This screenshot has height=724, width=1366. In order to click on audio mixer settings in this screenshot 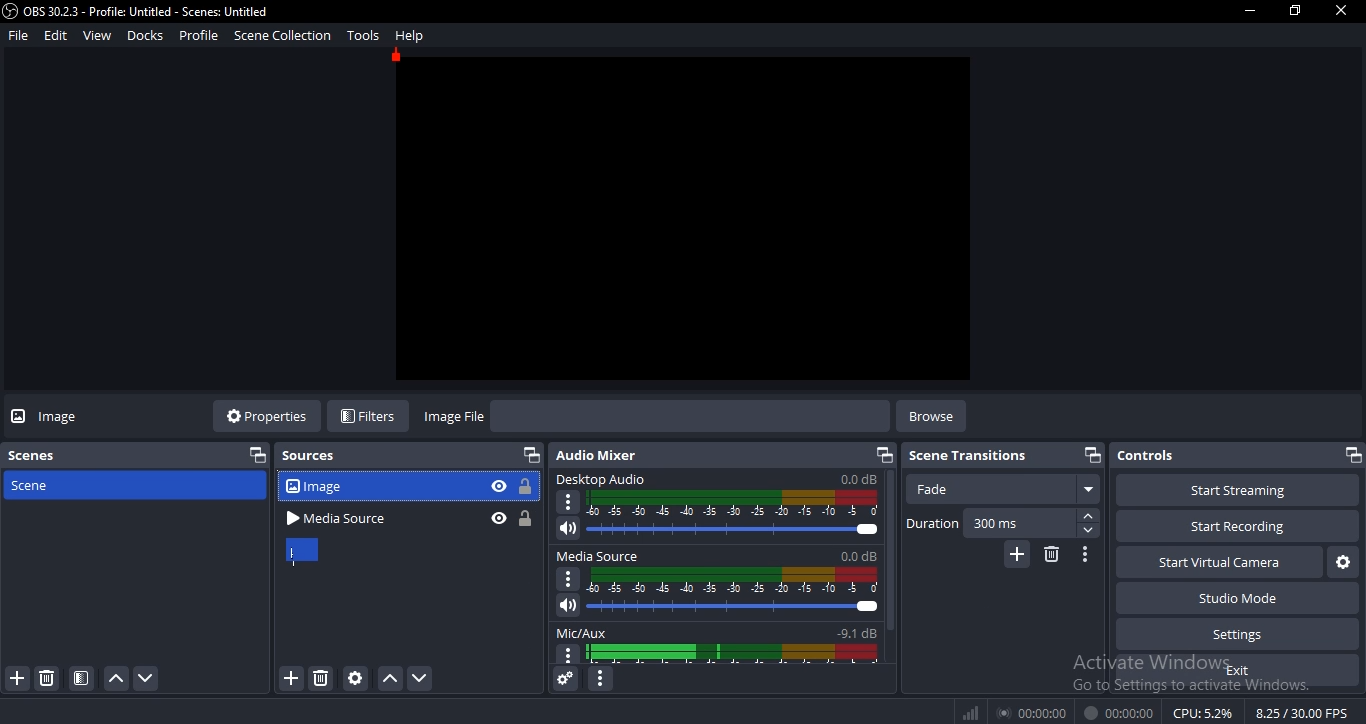, I will do `click(565, 679)`.